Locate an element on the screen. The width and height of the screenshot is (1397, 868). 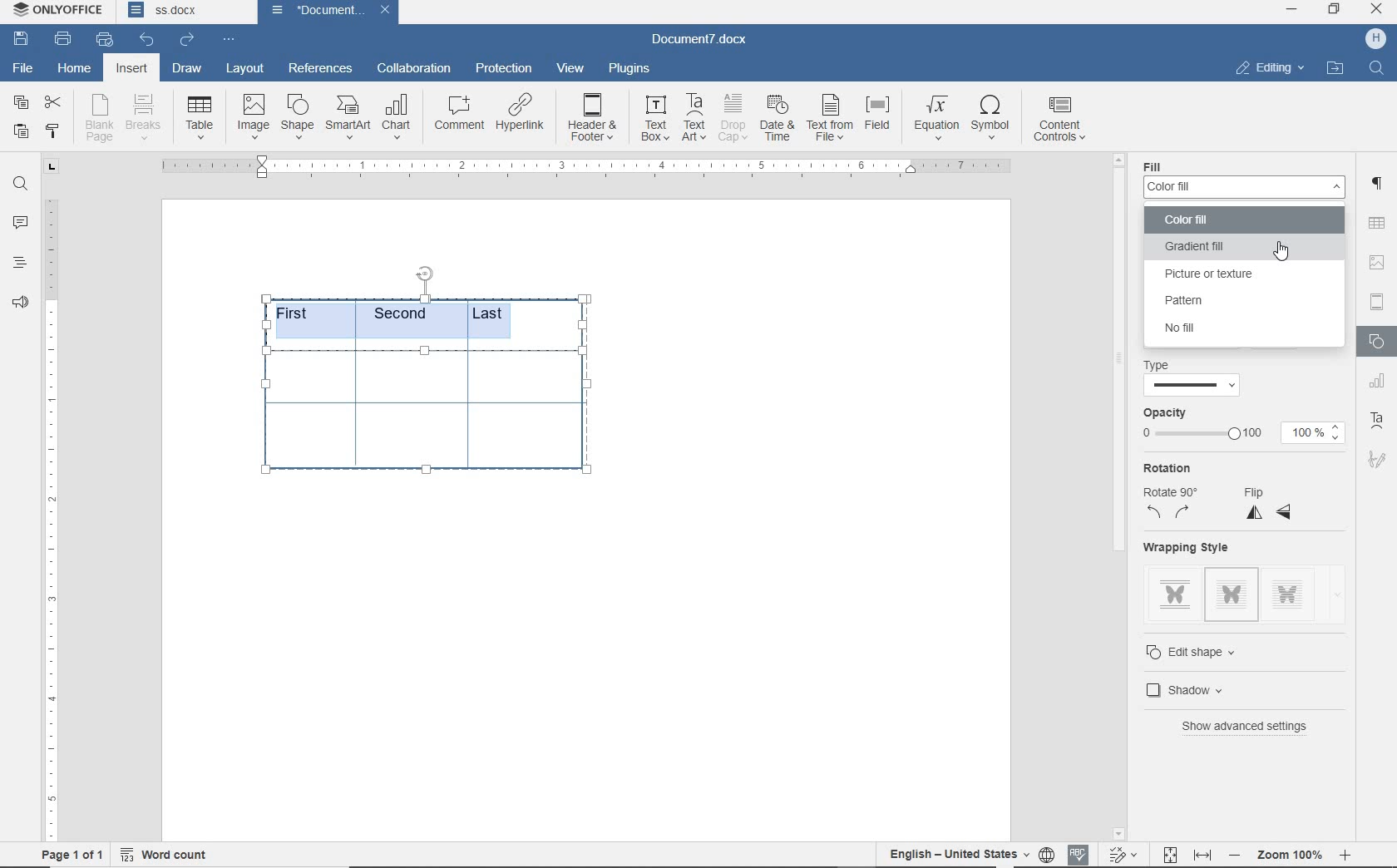
customize quick access toolbar is located at coordinates (228, 40).